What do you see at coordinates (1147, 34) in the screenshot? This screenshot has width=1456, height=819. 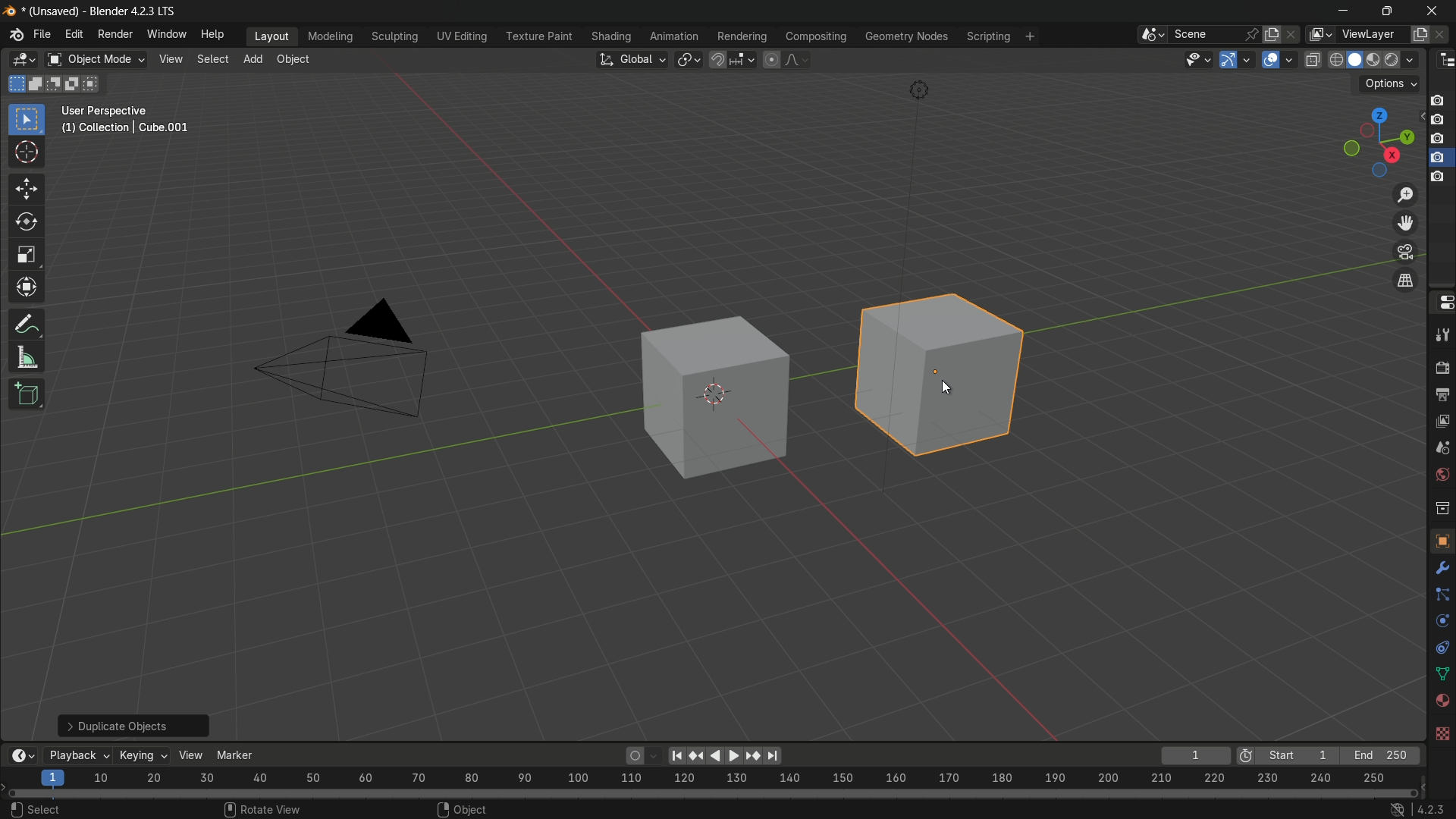 I see `link browse scene` at bounding box center [1147, 34].